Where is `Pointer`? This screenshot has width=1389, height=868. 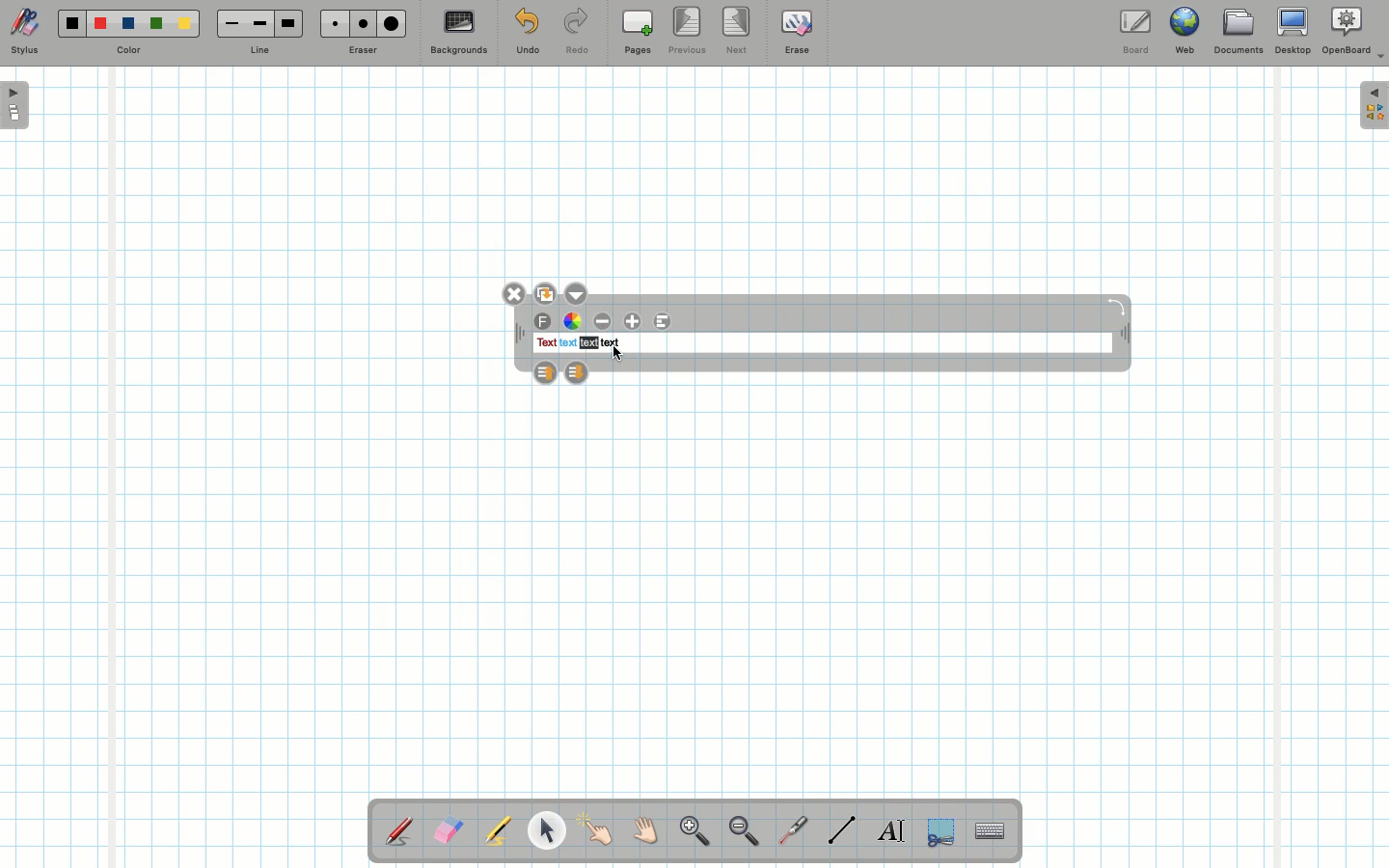 Pointer is located at coordinates (596, 830).